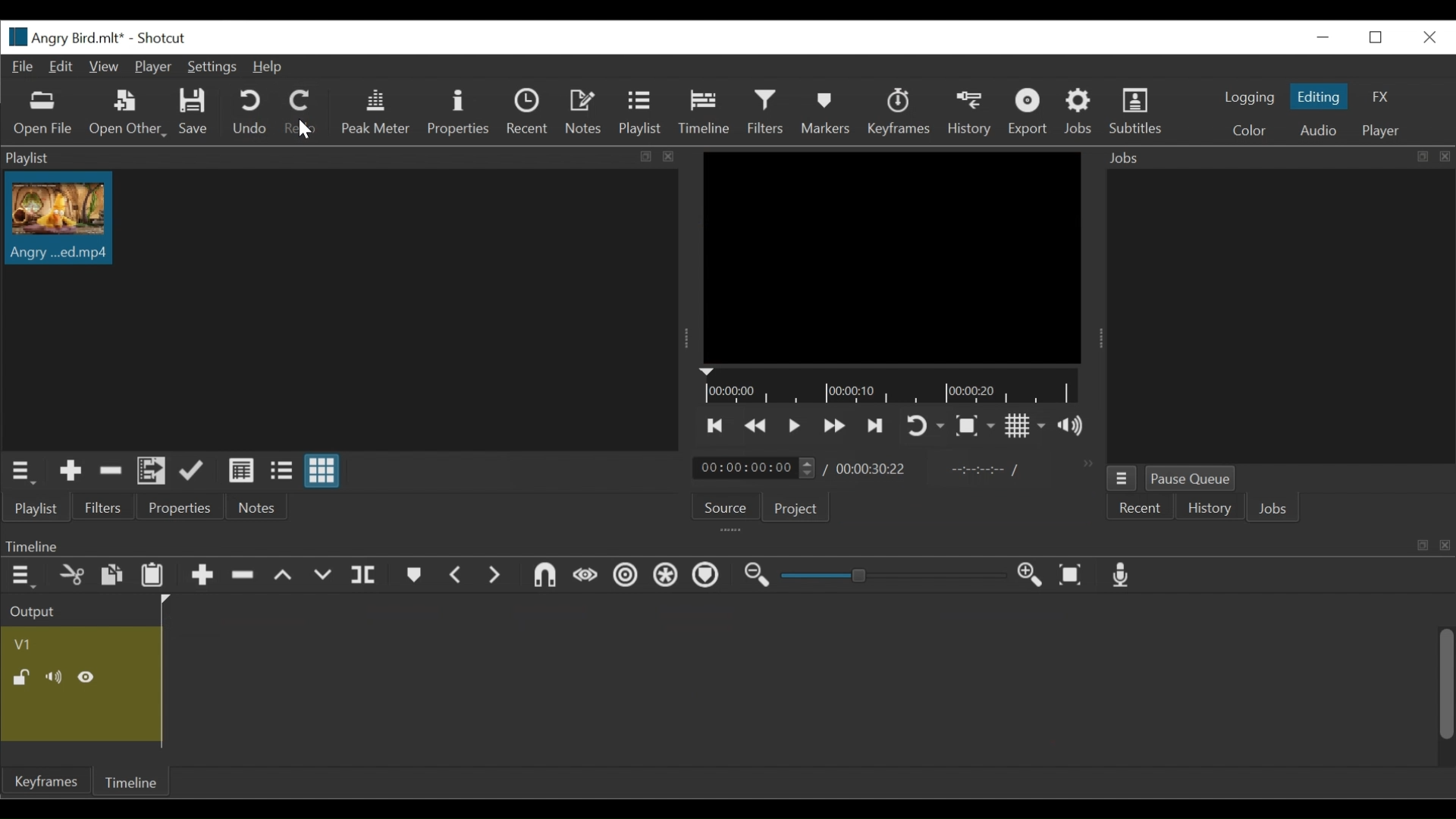 This screenshot has height=819, width=1456. I want to click on Zoom timeline out, so click(758, 577).